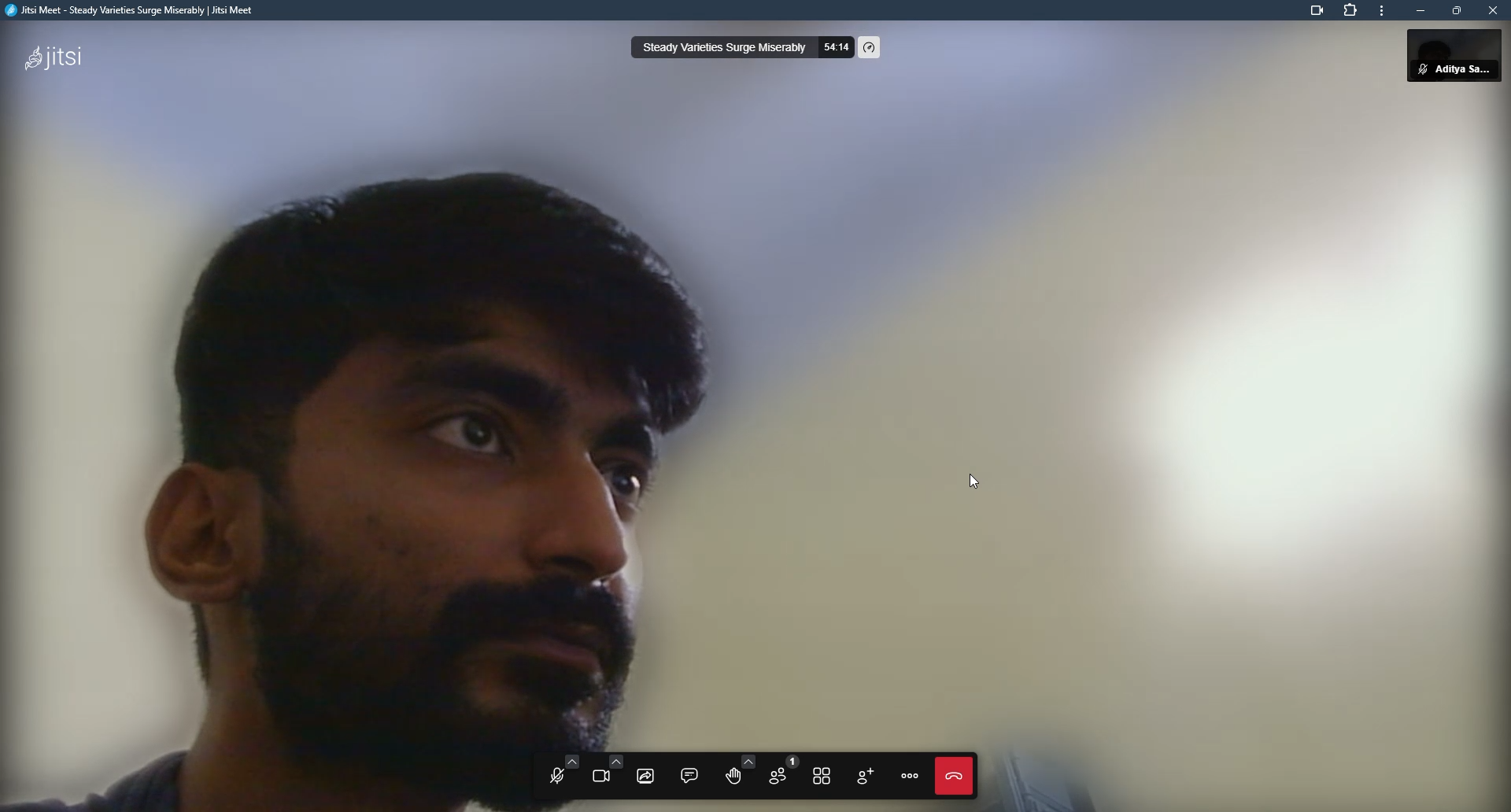 This screenshot has height=812, width=1511. What do you see at coordinates (910, 776) in the screenshot?
I see `more actions` at bounding box center [910, 776].